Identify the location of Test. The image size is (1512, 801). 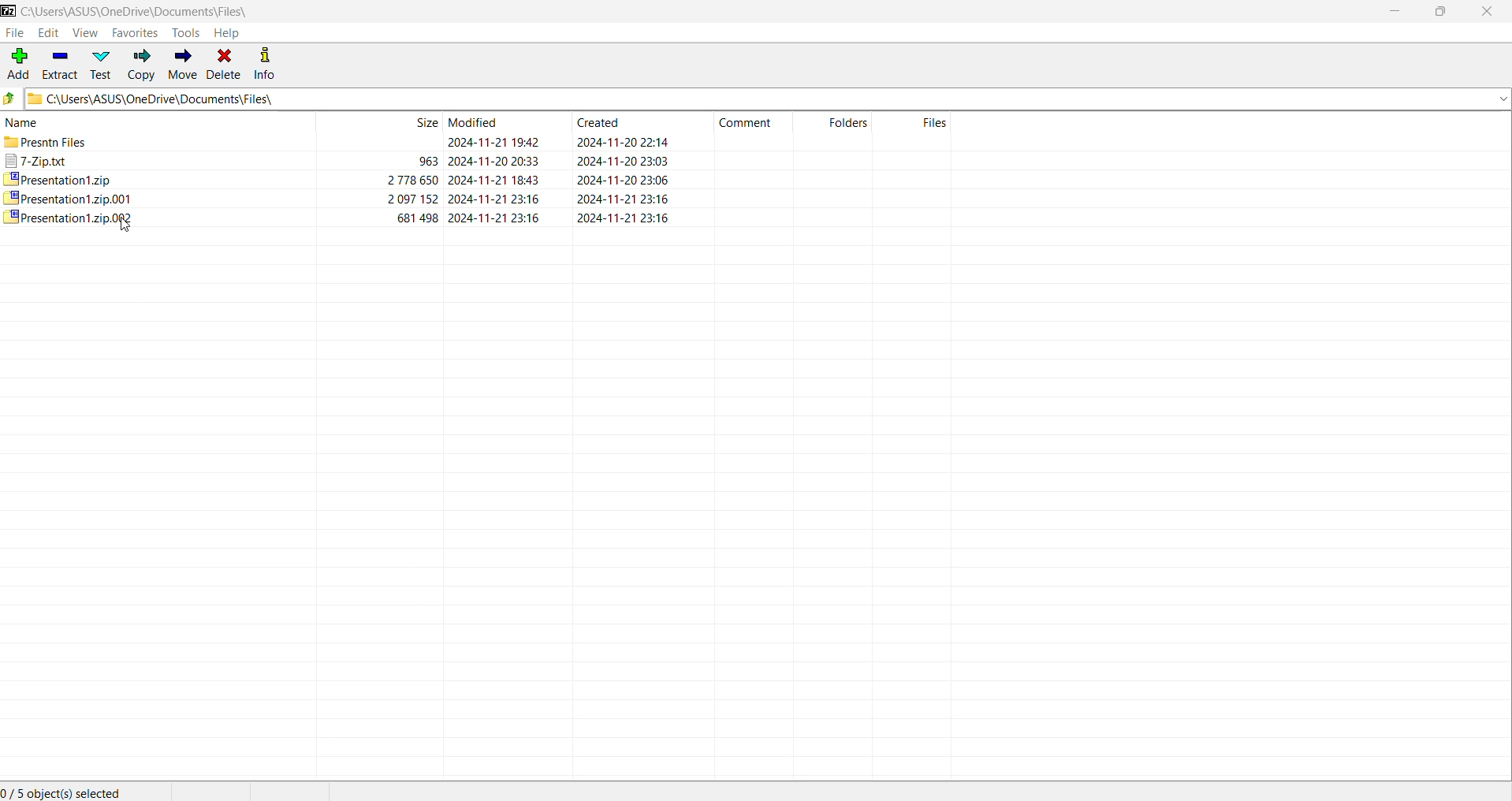
(102, 64).